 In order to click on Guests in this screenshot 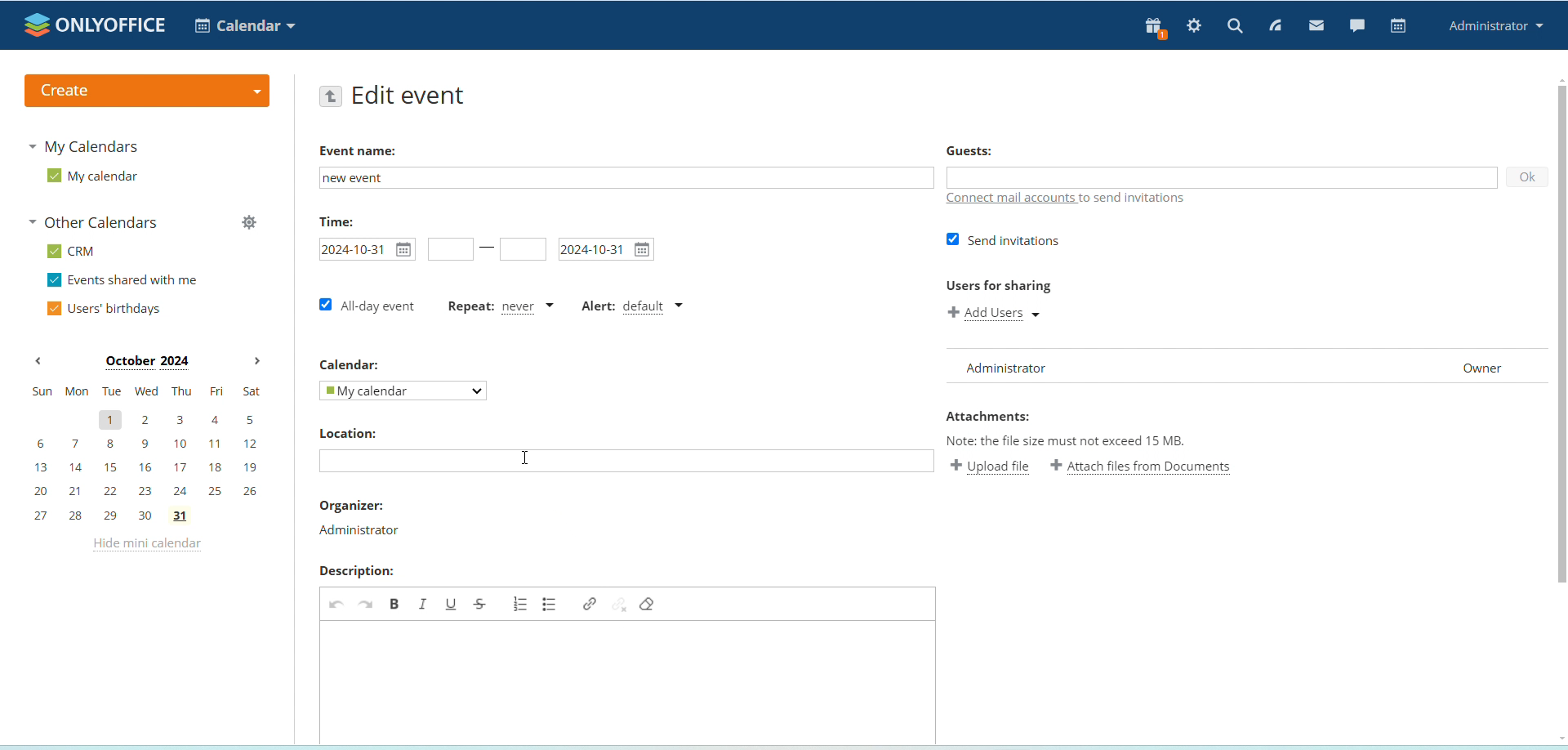, I will do `click(969, 150)`.